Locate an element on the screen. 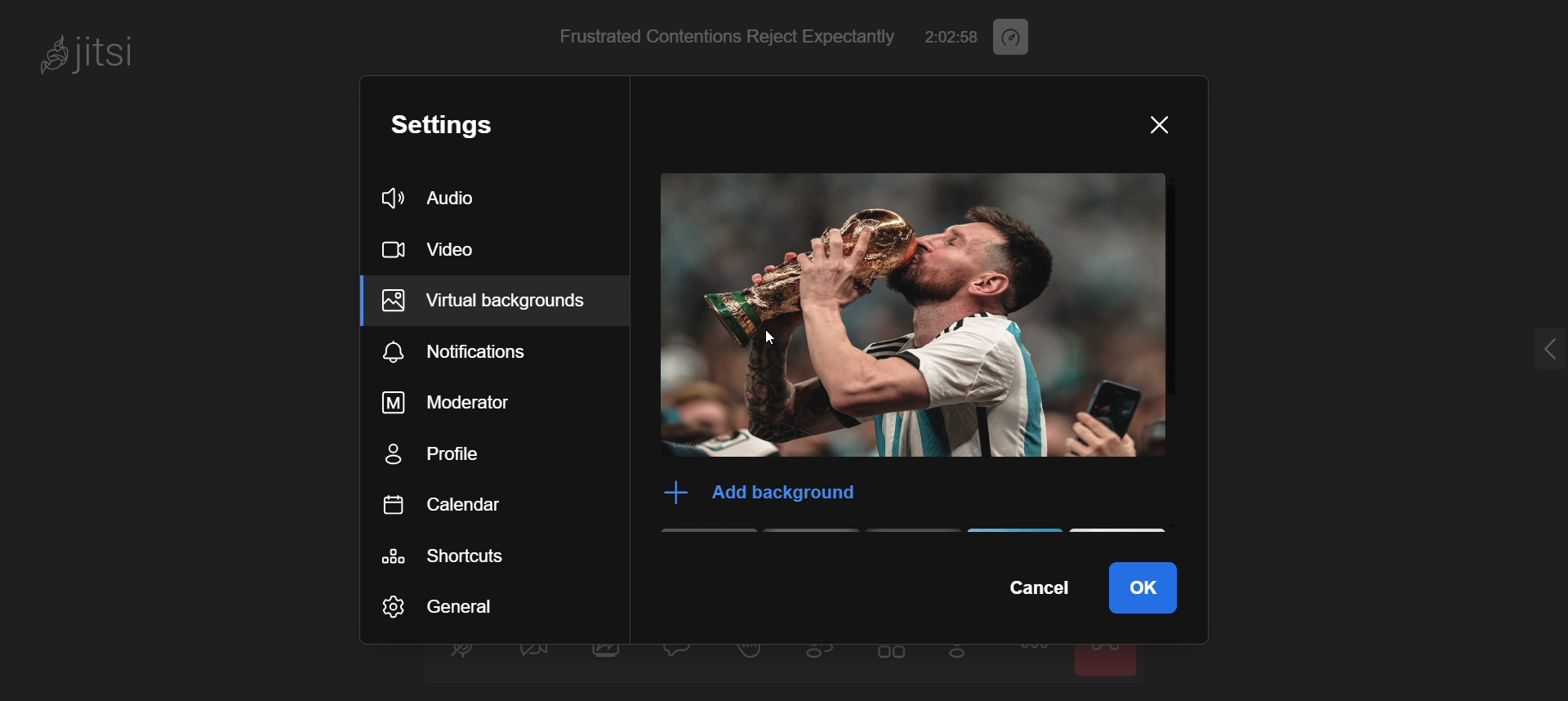  setting is located at coordinates (464, 123).